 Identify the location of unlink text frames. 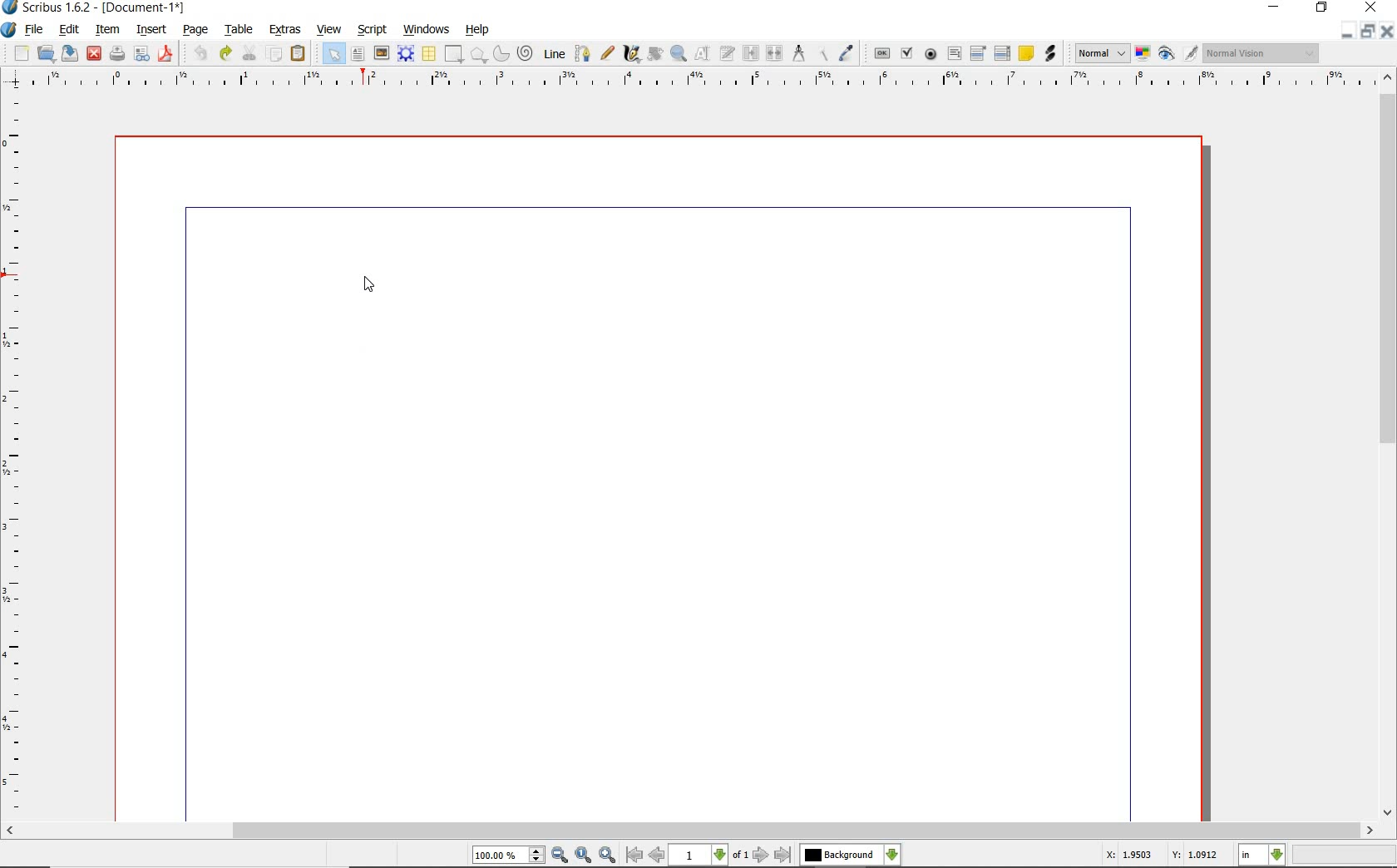
(776, 53).